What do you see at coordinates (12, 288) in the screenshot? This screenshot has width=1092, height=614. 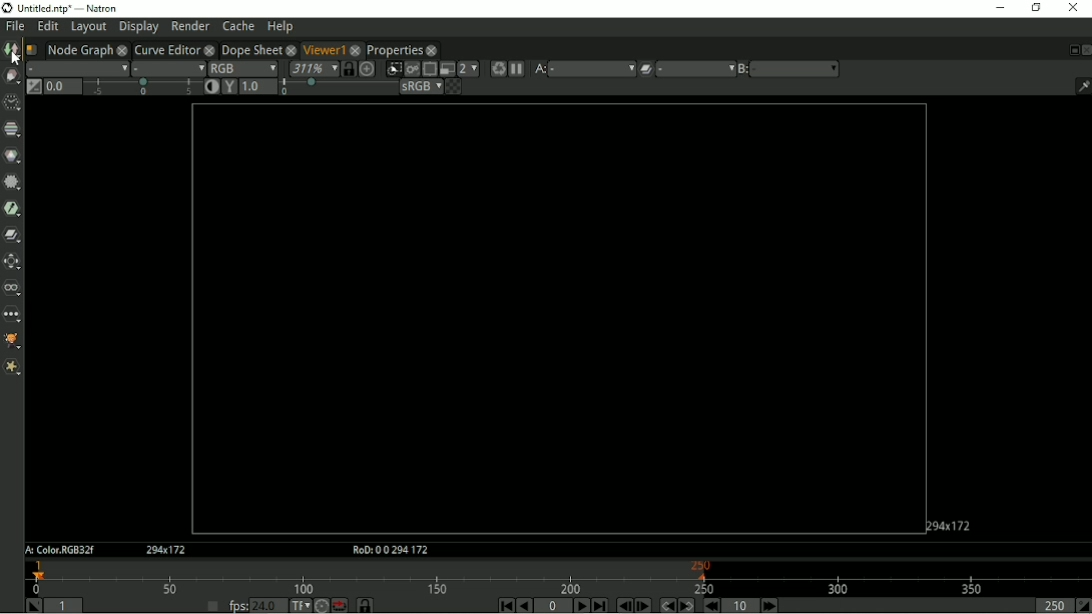 I see `Views` at bounding box center [12, 288].